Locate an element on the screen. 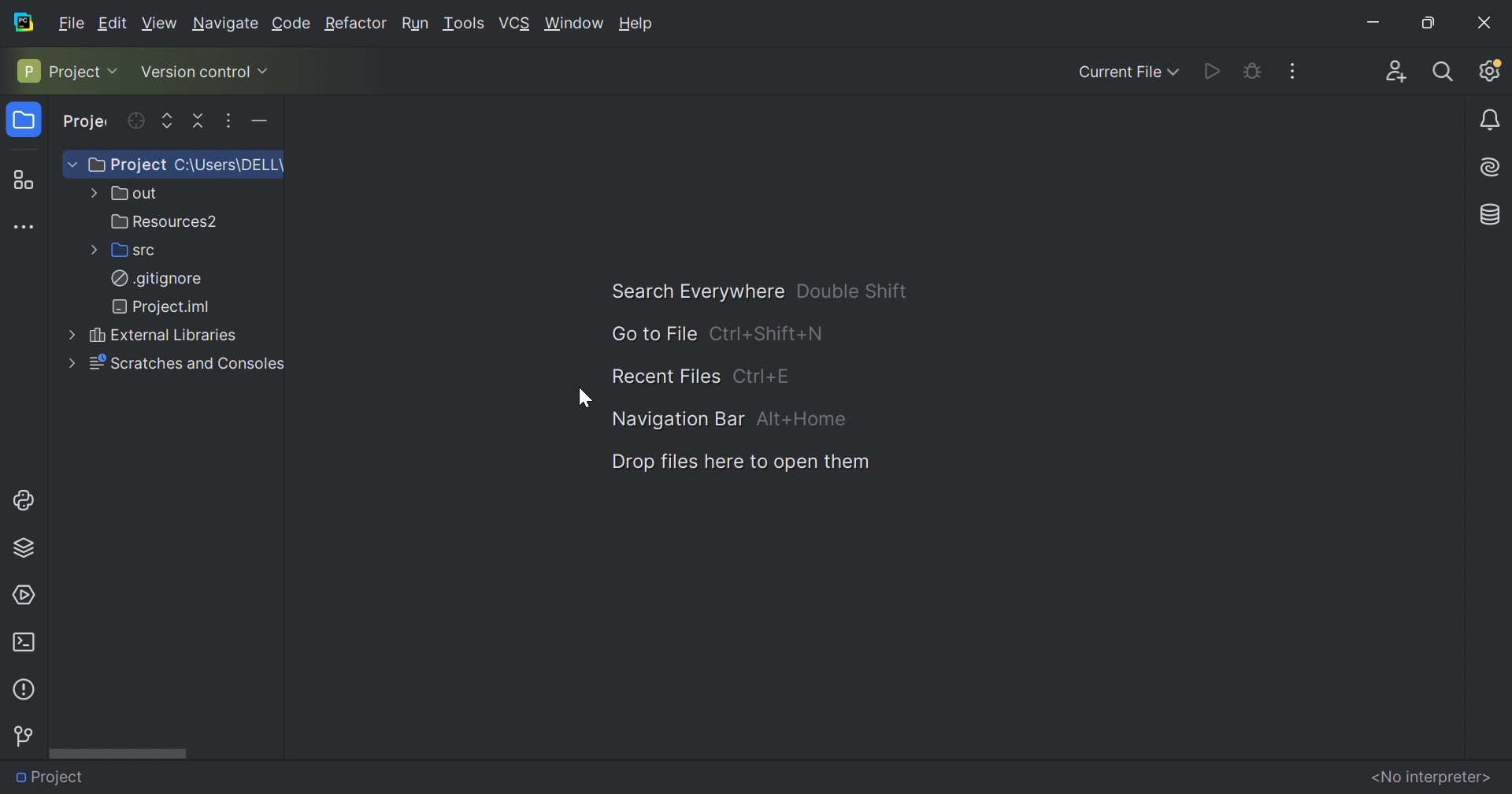 The width and height of the screenshot is (1512, 794). Recent files is located at coordinates (665, 376).